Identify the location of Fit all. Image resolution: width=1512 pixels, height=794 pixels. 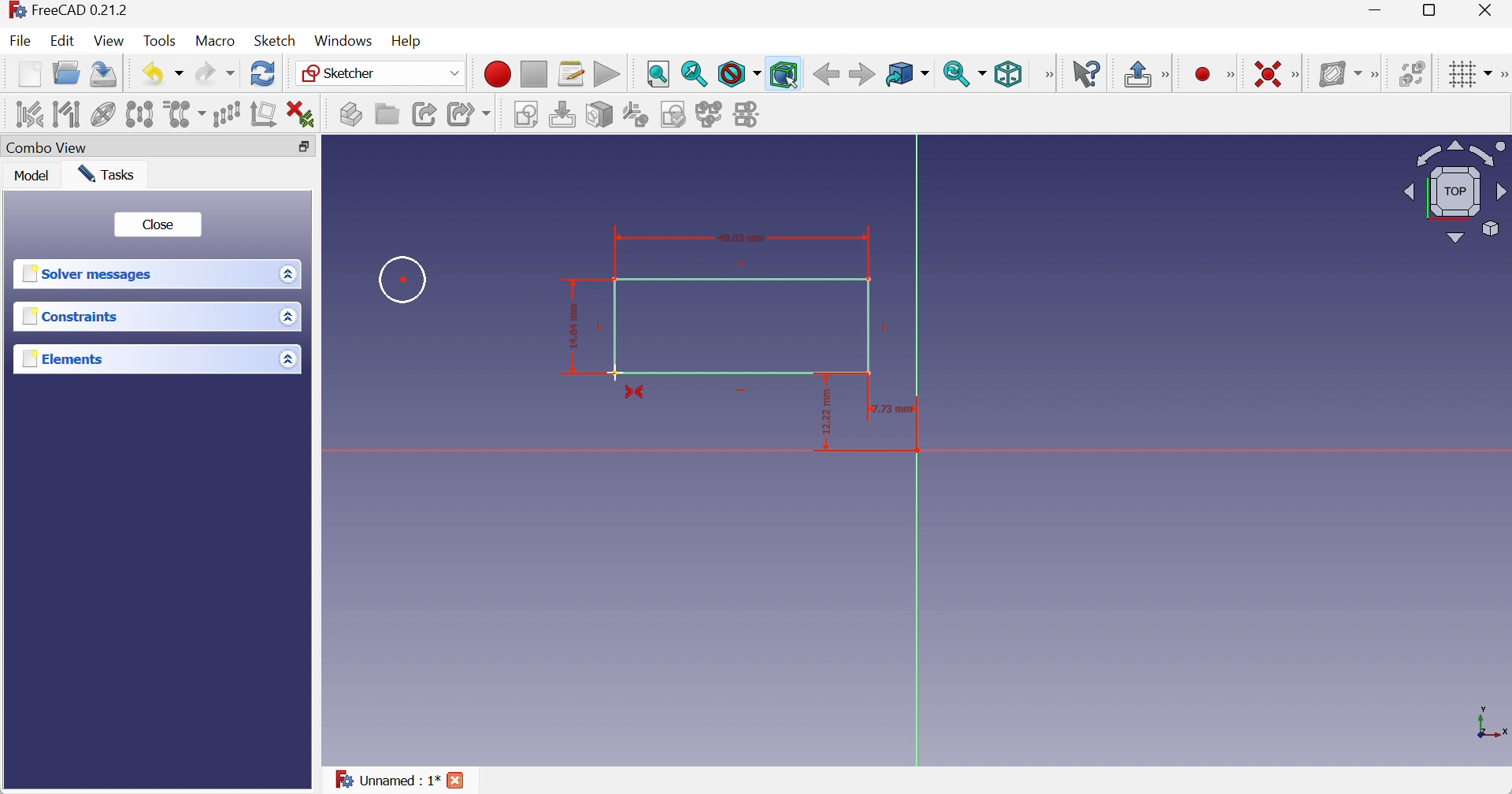
(659, 75).